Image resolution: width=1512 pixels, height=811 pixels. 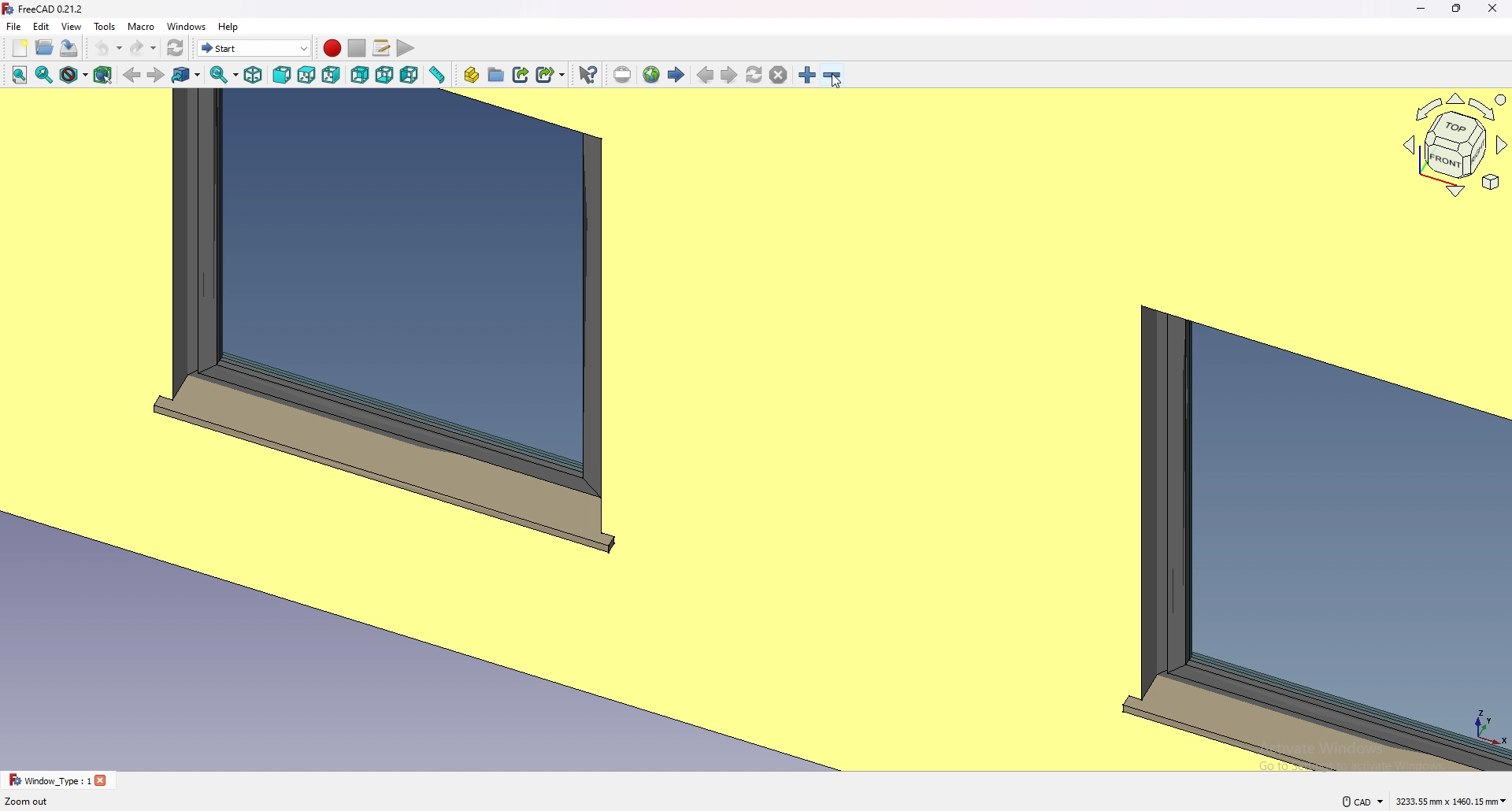 I want to click on freeCAD, so click(x=42, y=9).